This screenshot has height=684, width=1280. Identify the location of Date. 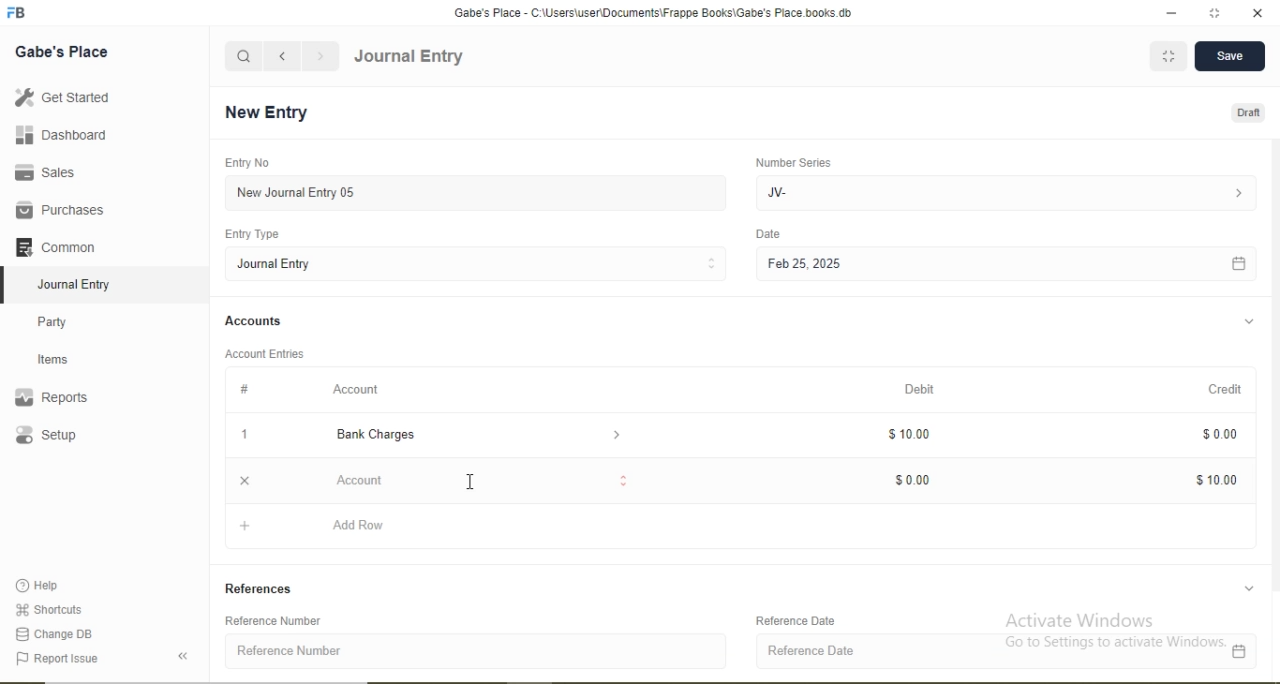
(769, 234).